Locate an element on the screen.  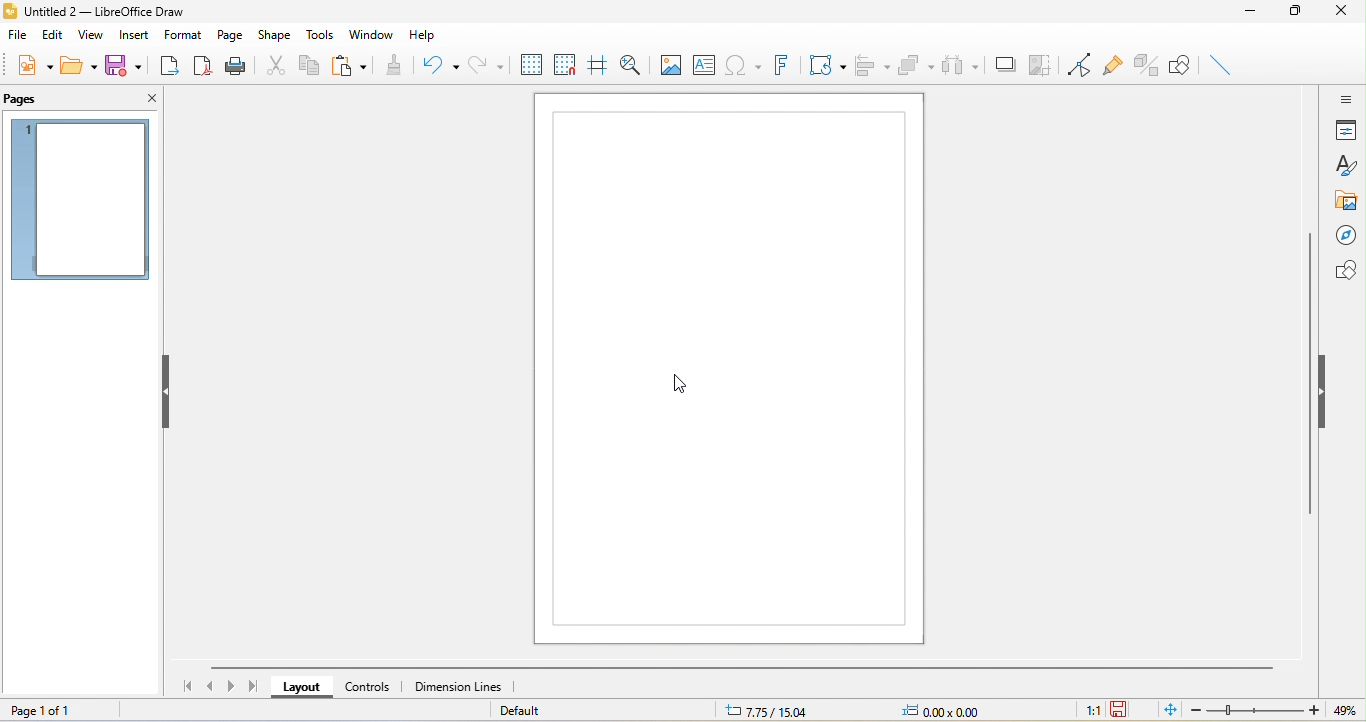
gallery is located at coordinates (1345, 198).